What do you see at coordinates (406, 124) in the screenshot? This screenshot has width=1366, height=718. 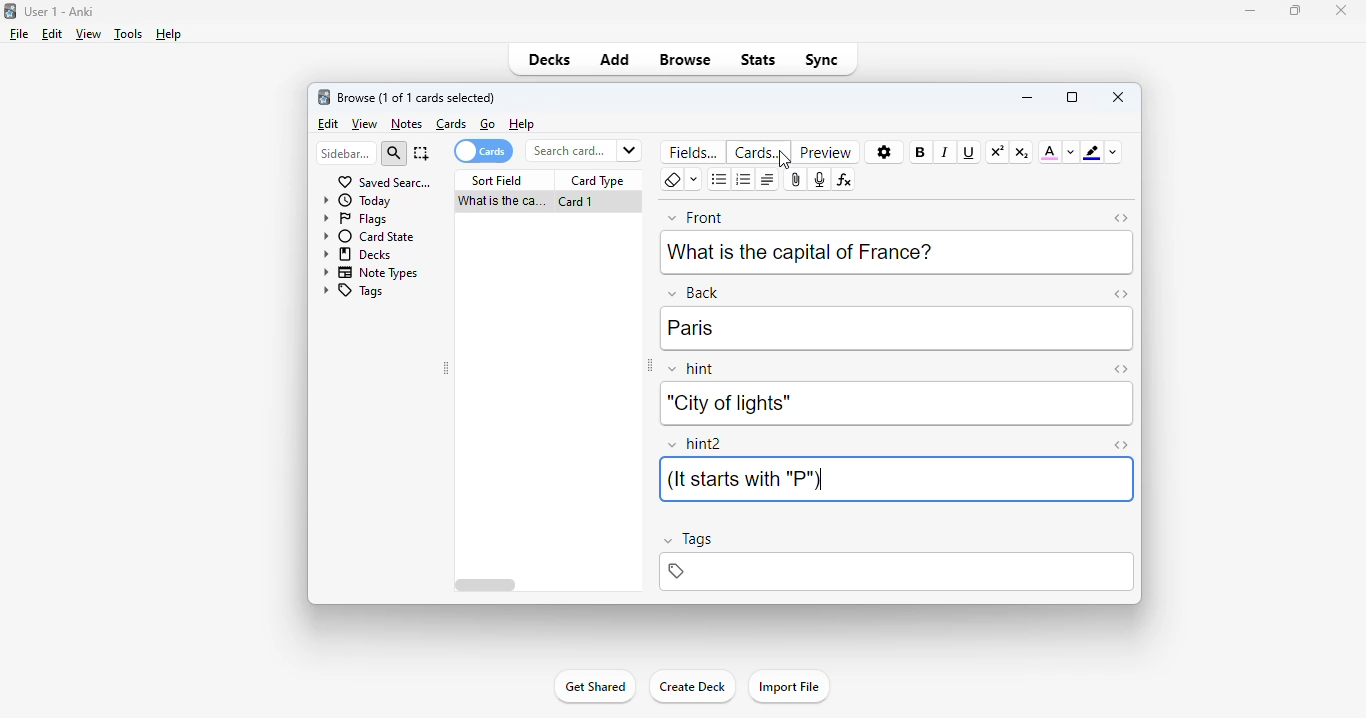 I see `notes` at bounding box center [406, 124].